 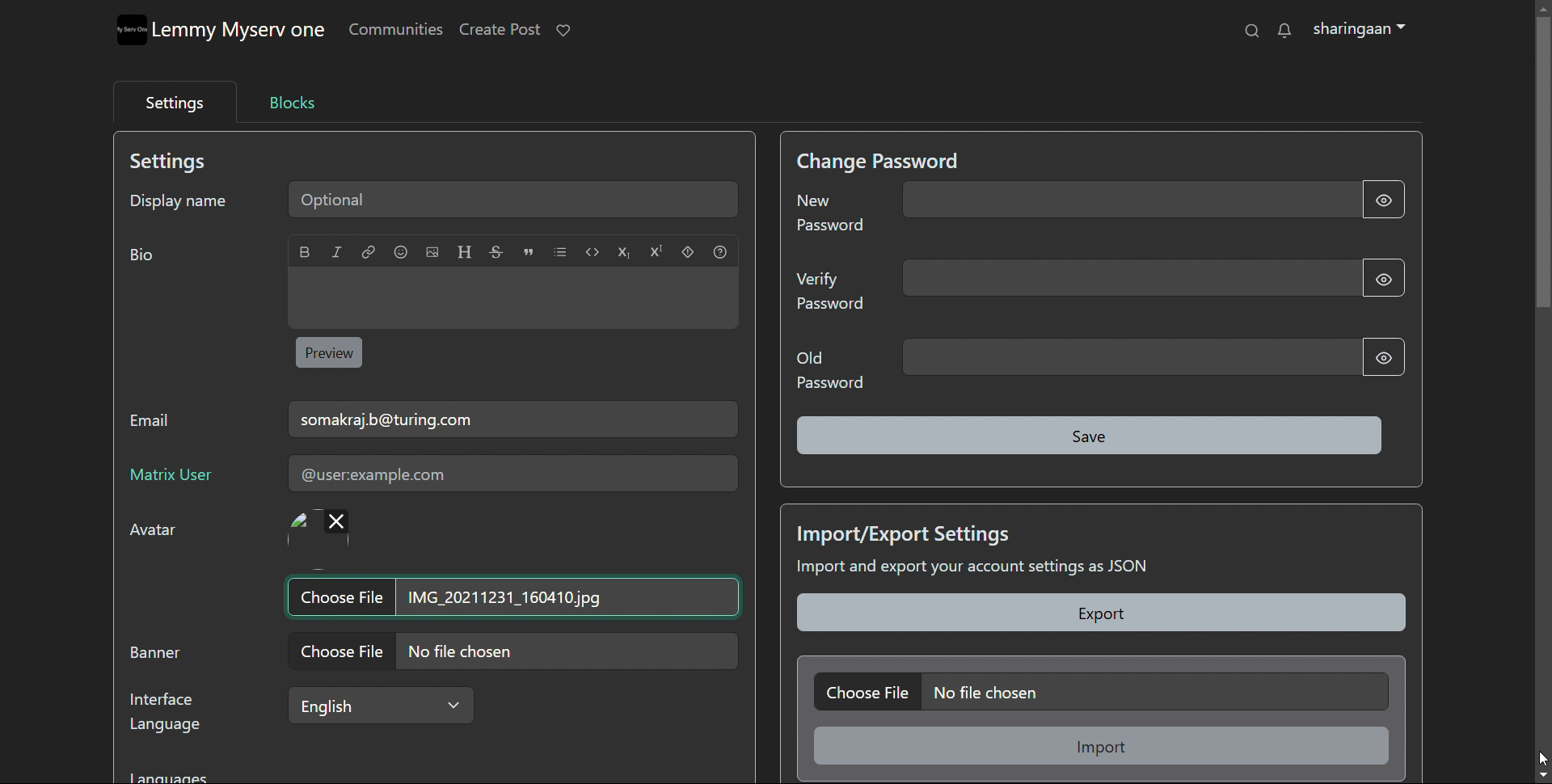 What do you see at coordinates (396, 32) in the screenshot?
I see `Communities` at bounding box center [396, 32].